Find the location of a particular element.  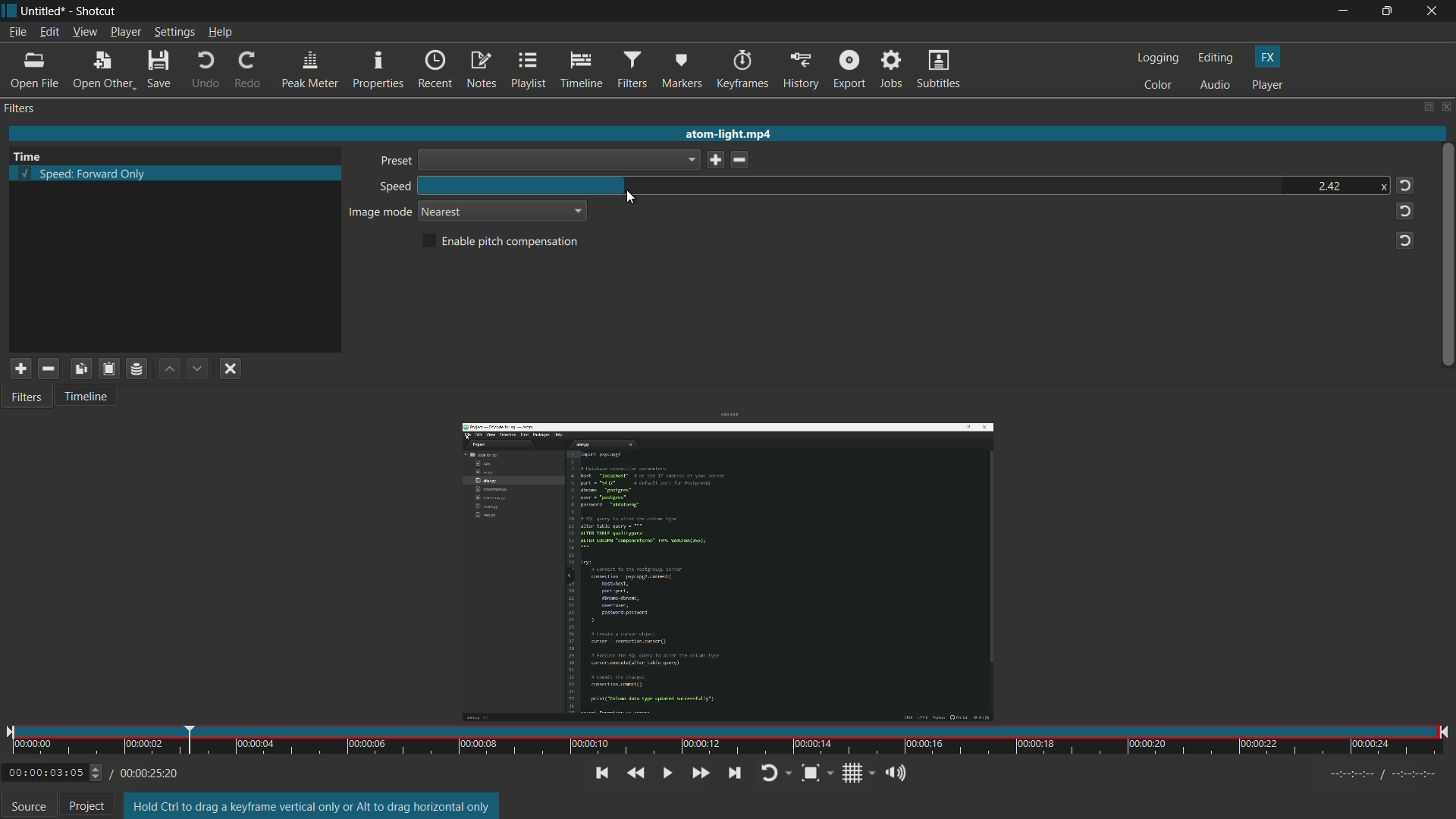

Filters is located at coordinates (33, 401).